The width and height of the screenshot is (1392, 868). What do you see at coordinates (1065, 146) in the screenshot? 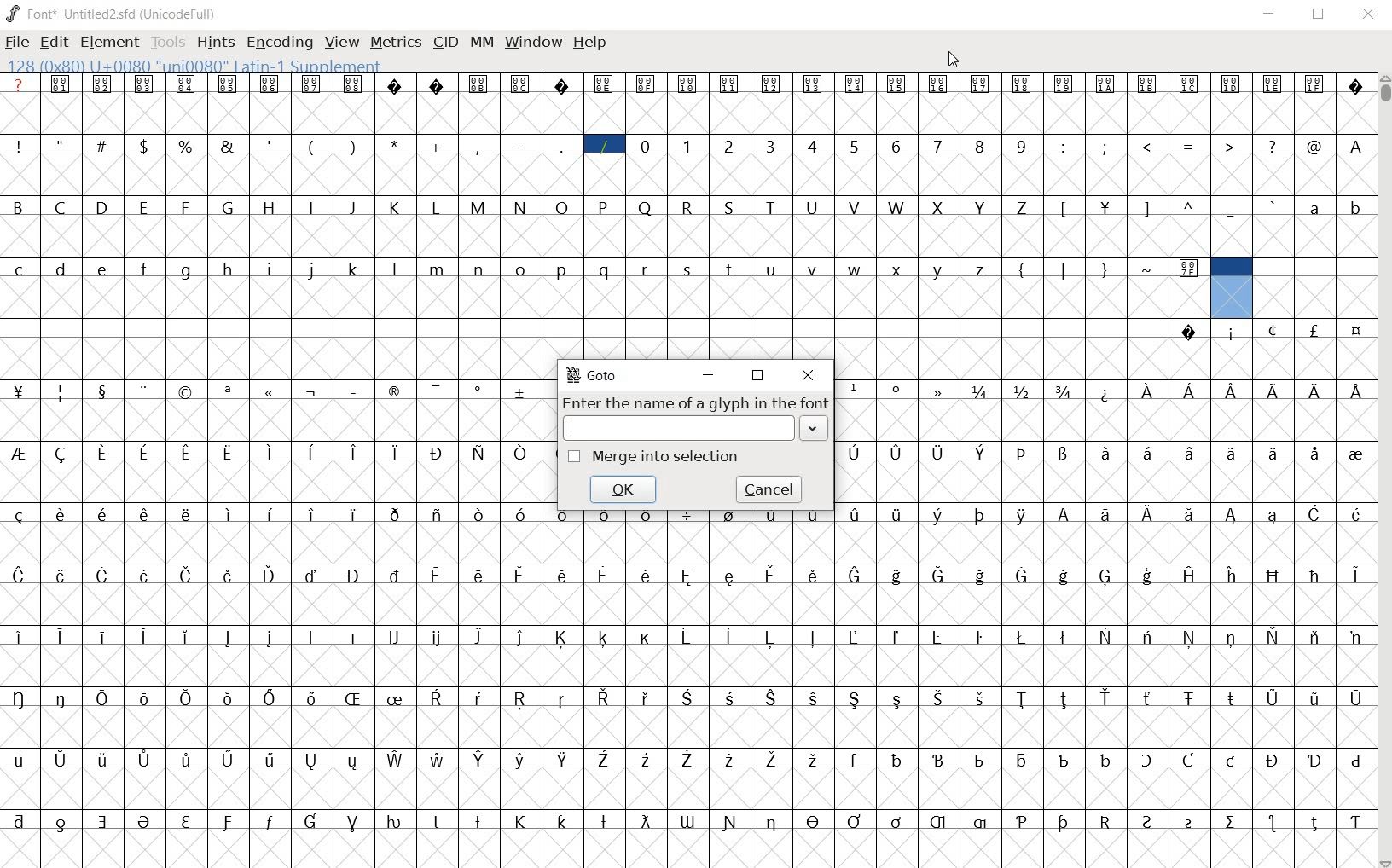
I see `:` at bounding box center [1065, 146].